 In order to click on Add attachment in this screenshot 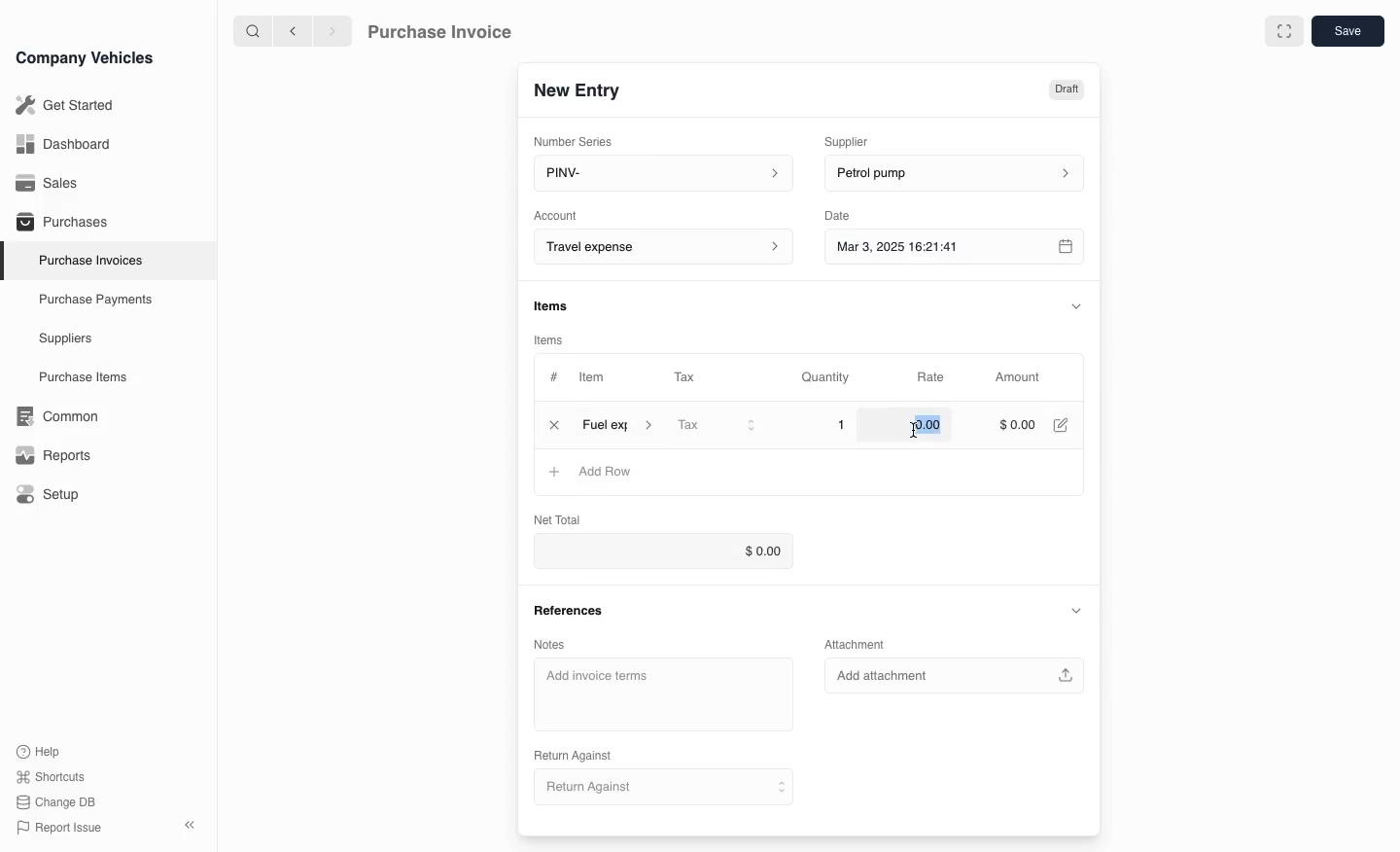, I will do `click(956, 675)`.